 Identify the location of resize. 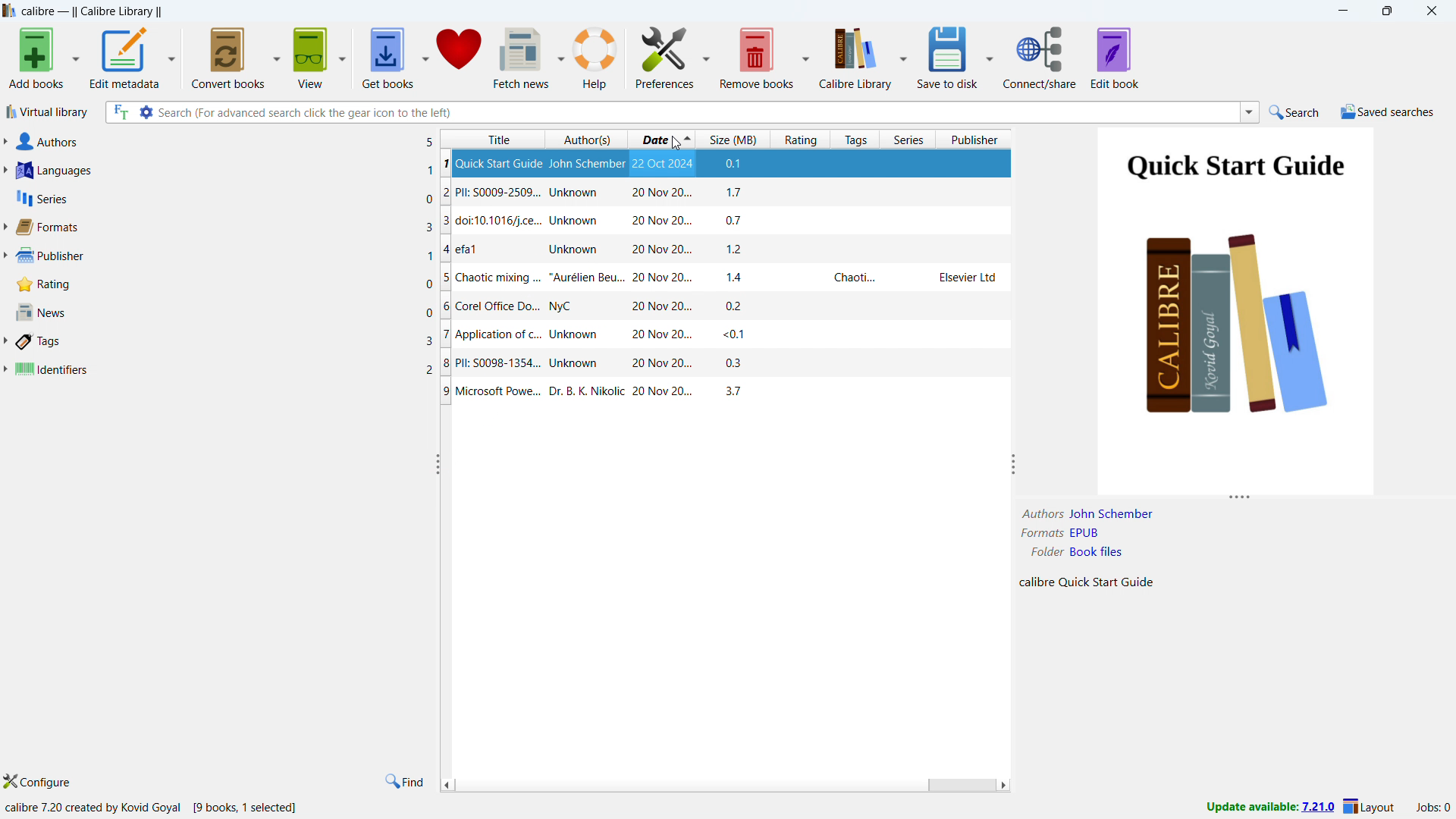
(1241, 498).